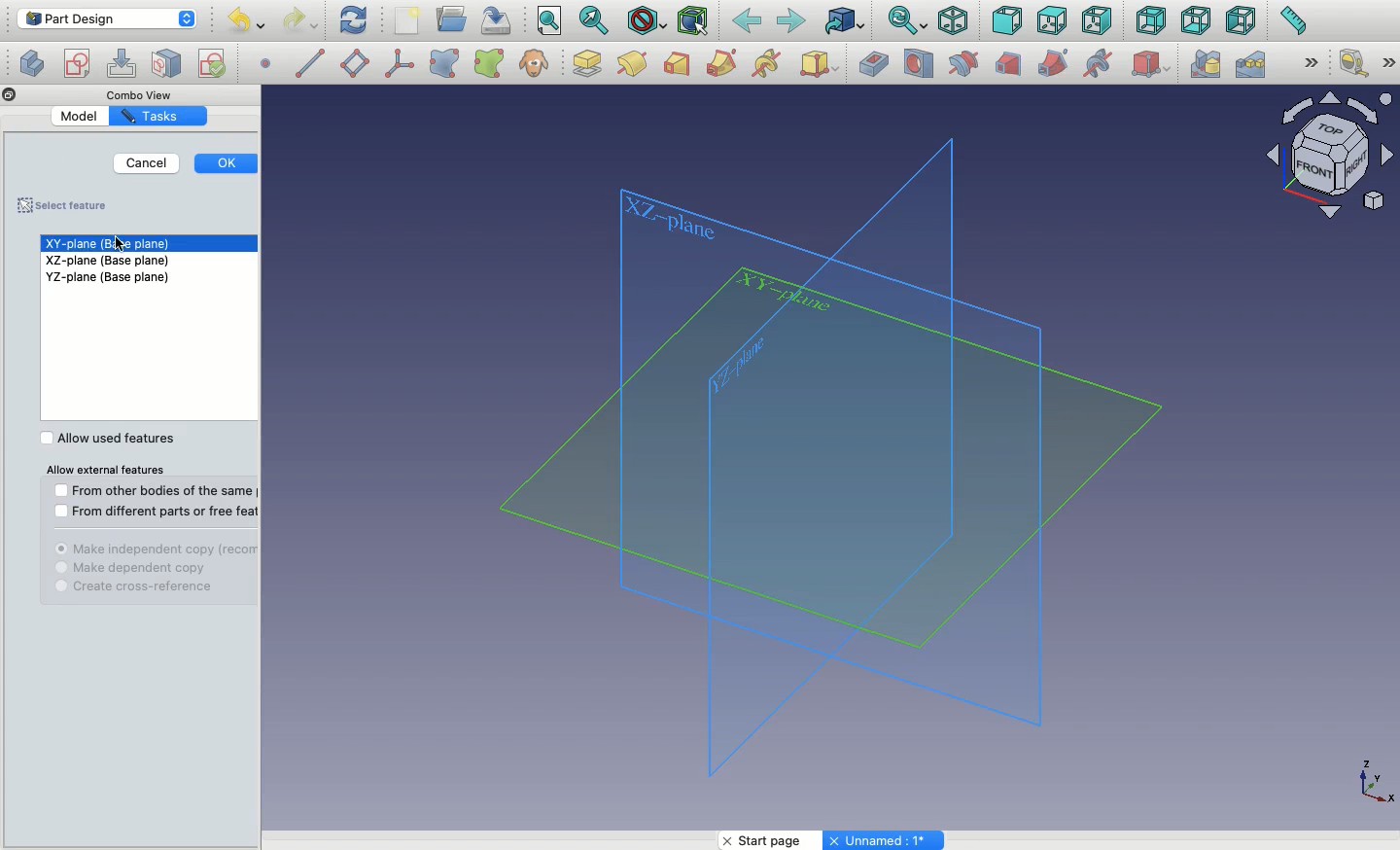 The height and width of the screenshot is (850, 1400). Describe the element at coordinates (791, 20) in the screenshot. I see `Forward` at that location.